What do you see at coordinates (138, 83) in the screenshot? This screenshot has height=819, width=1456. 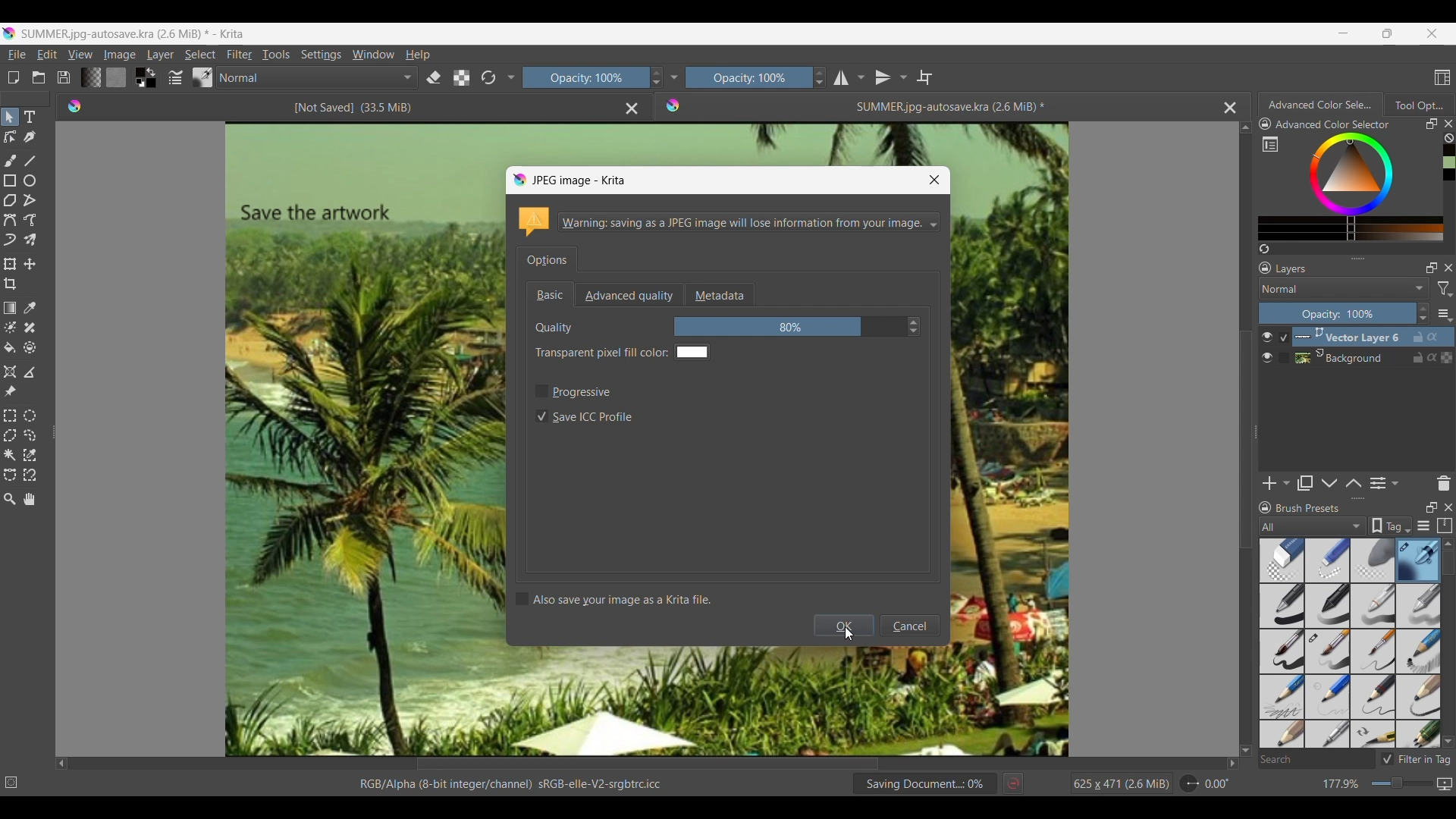 I see `Set background and foreground color to black and white respectively` at bounding box center [138, 83].